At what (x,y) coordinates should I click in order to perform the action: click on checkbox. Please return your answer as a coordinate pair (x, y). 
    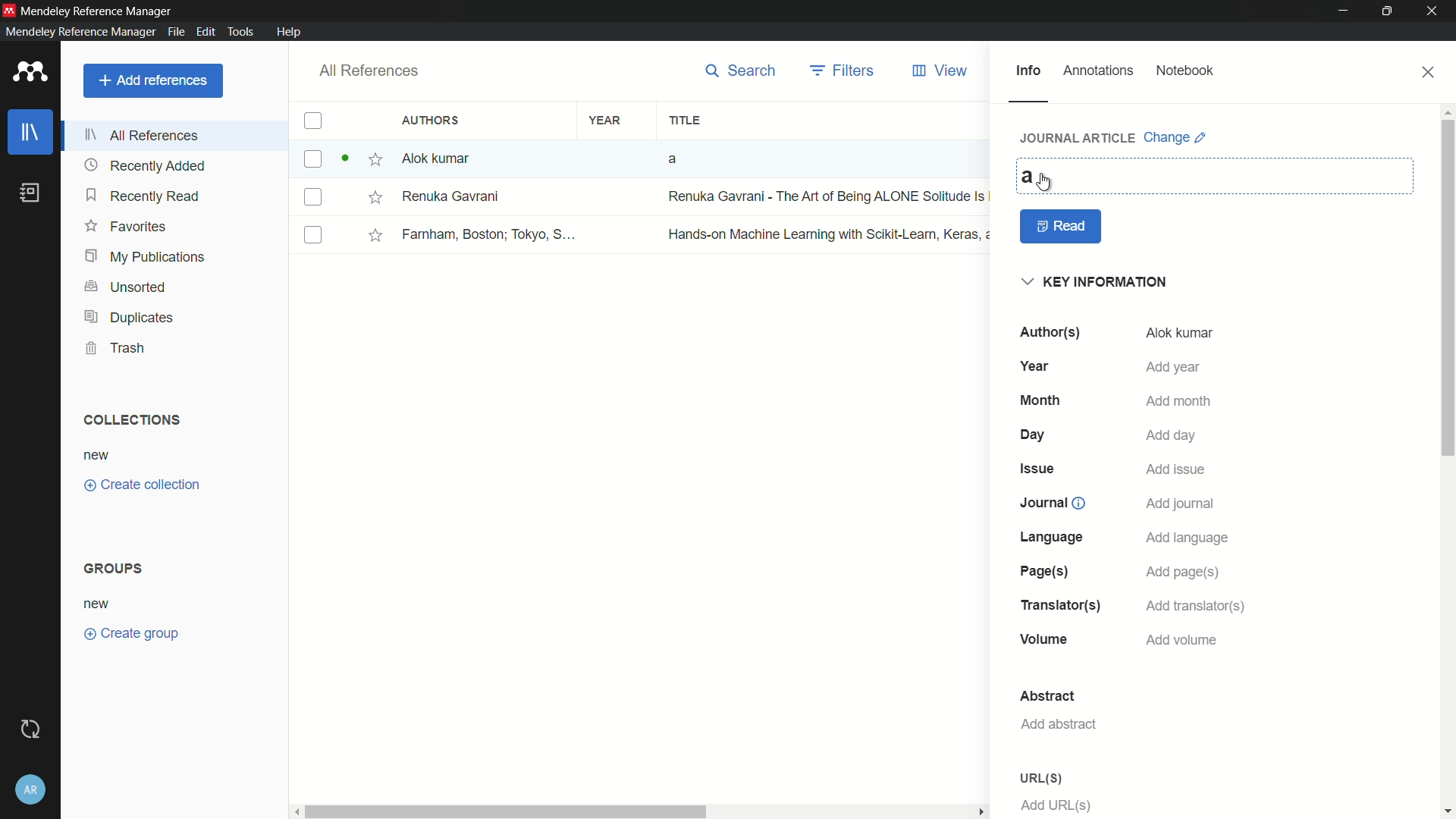
    Looking at the image, I should click on (312, 121).